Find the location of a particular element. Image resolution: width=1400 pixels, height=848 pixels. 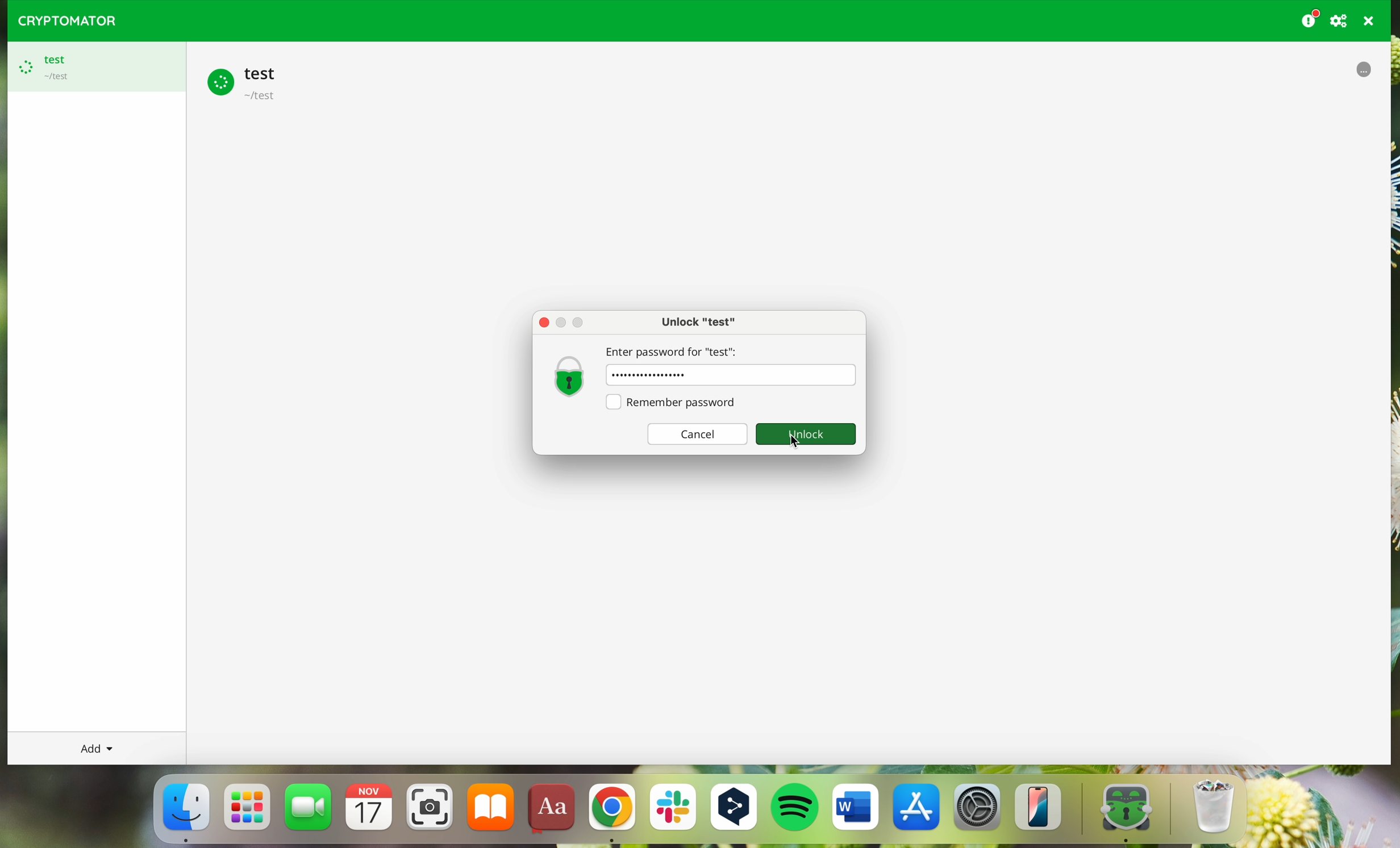

FaceTime is located at coordinates (310, 811).